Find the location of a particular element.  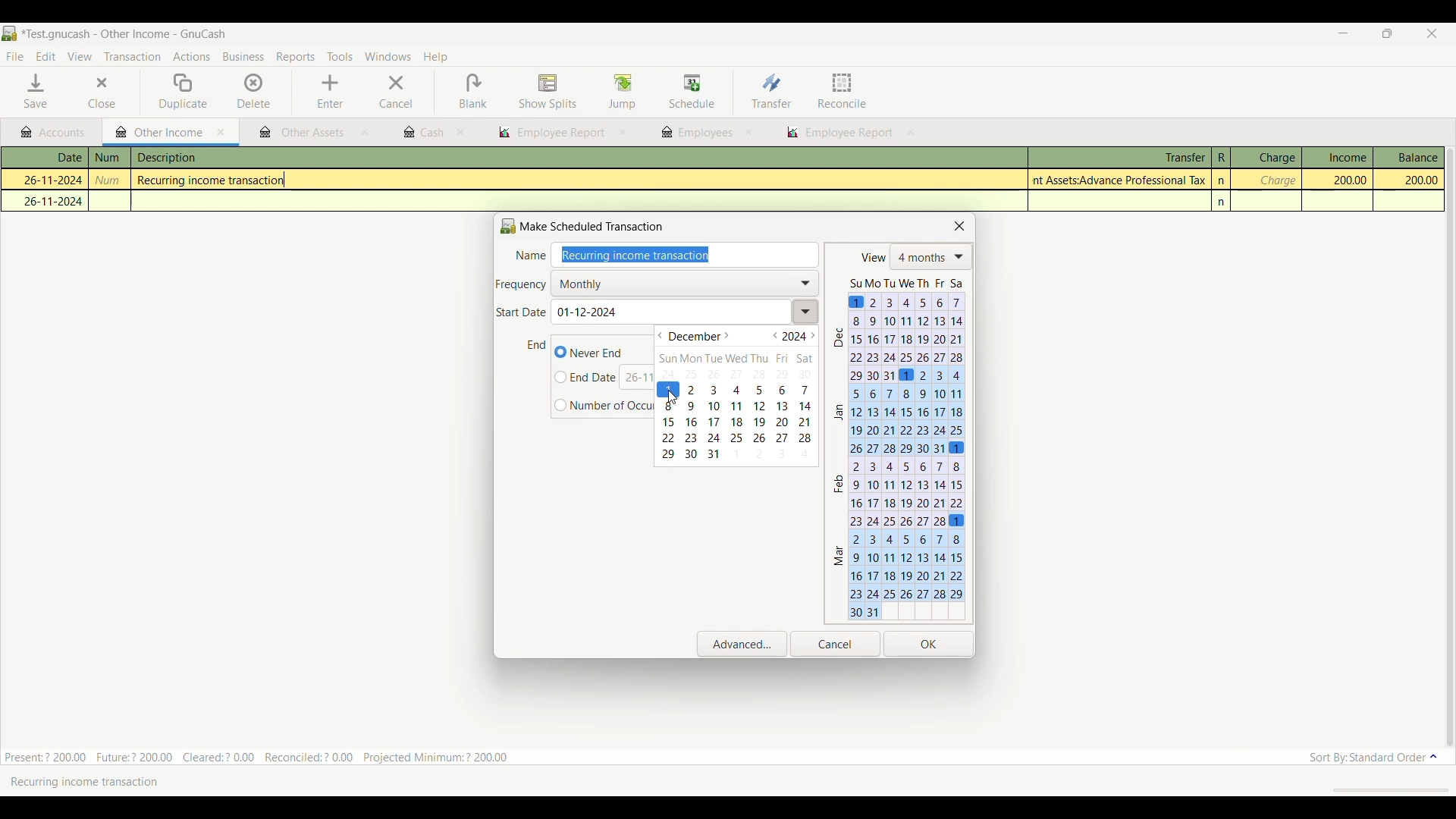

26-11-2024 is located at coordinates (49, 201).